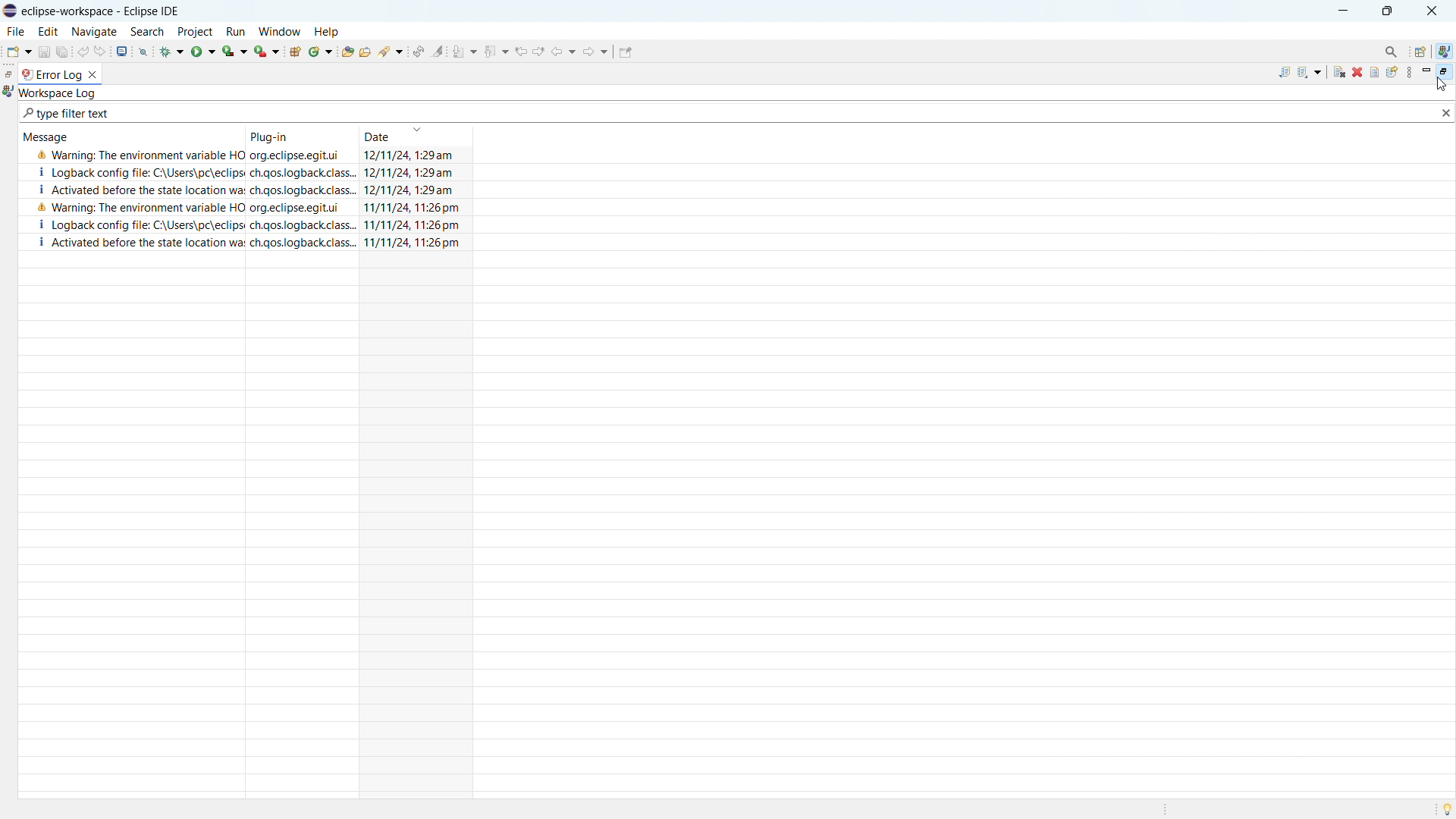 The width and height of the screenshot is (1456, 819). What do you see at coordinates (266, 52) in the screenshot?
I see `run last tool` at bounding box center [266, 52].